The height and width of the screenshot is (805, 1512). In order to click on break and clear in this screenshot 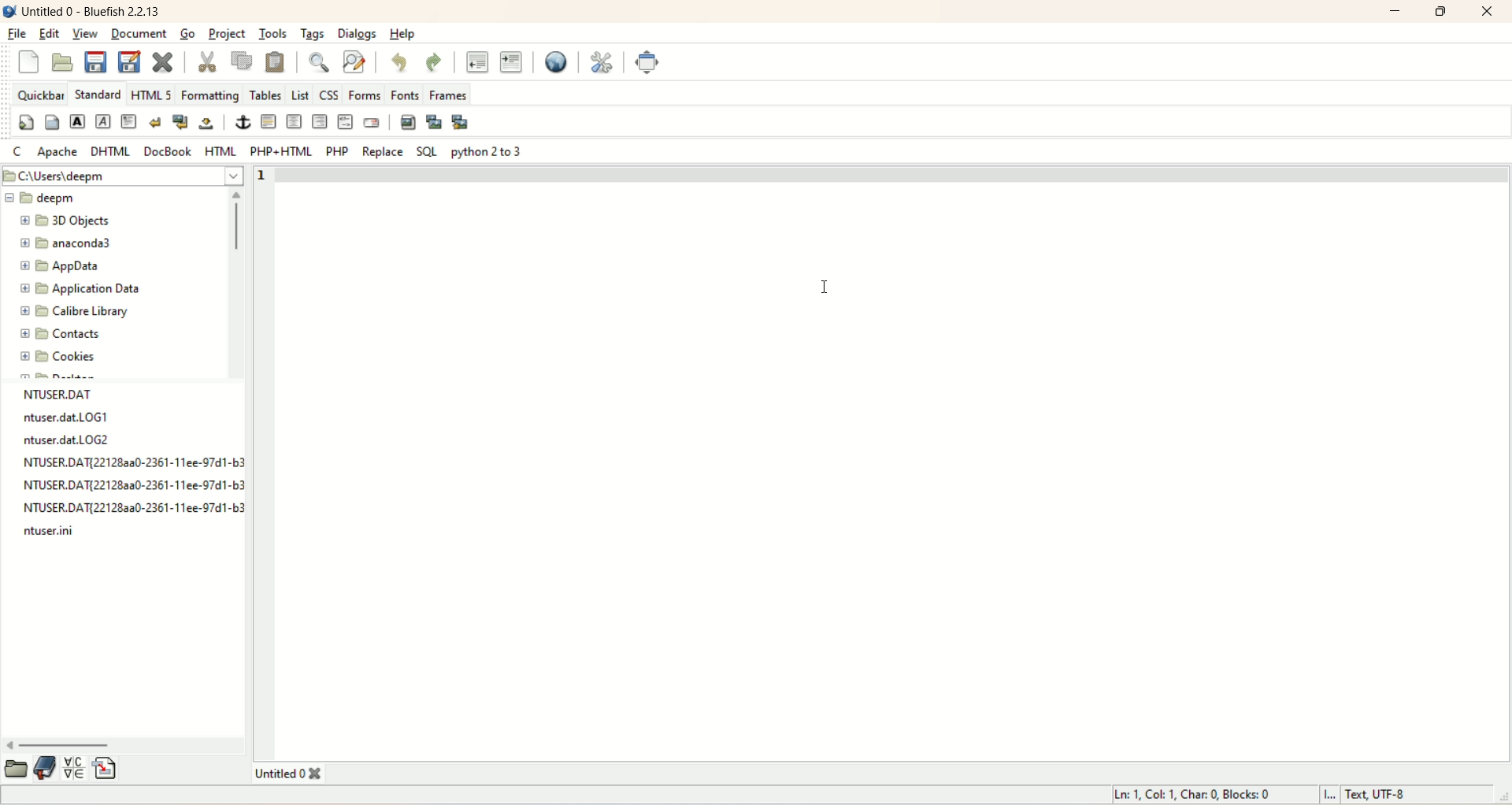, I will do `click(179, 123)`.